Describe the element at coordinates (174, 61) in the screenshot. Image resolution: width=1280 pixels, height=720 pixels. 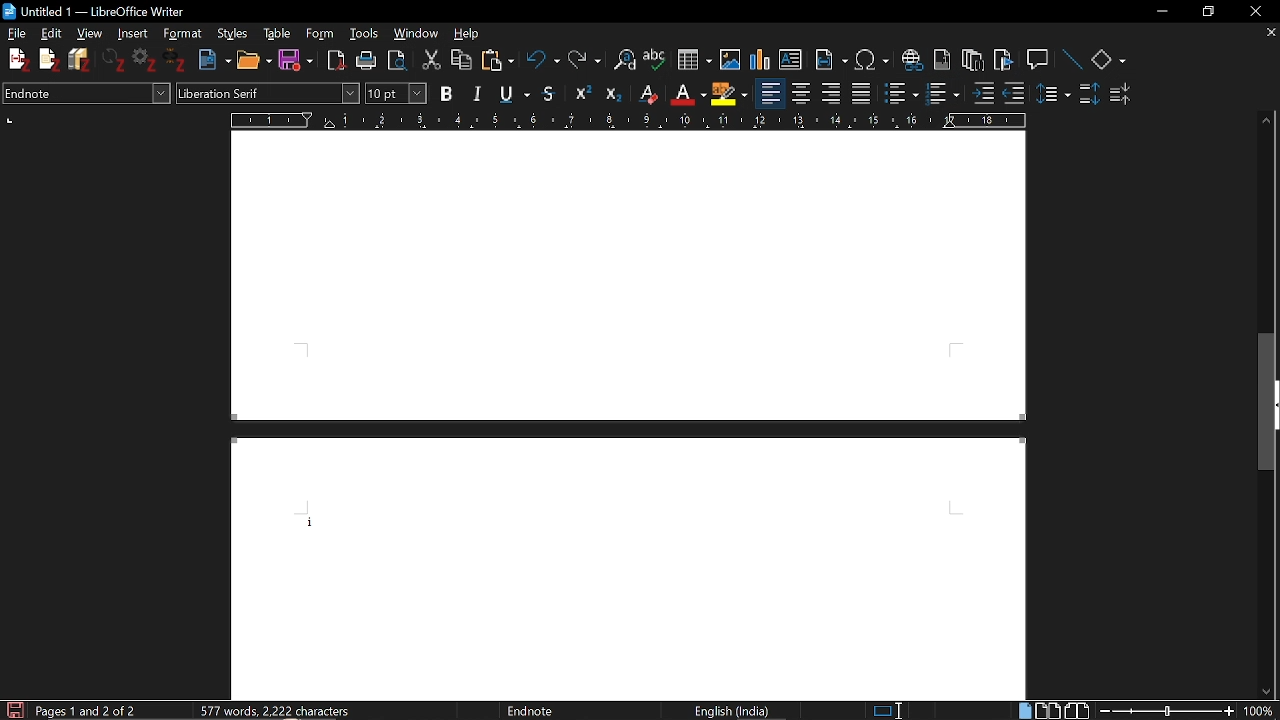
I see `Unlink document` at that location.